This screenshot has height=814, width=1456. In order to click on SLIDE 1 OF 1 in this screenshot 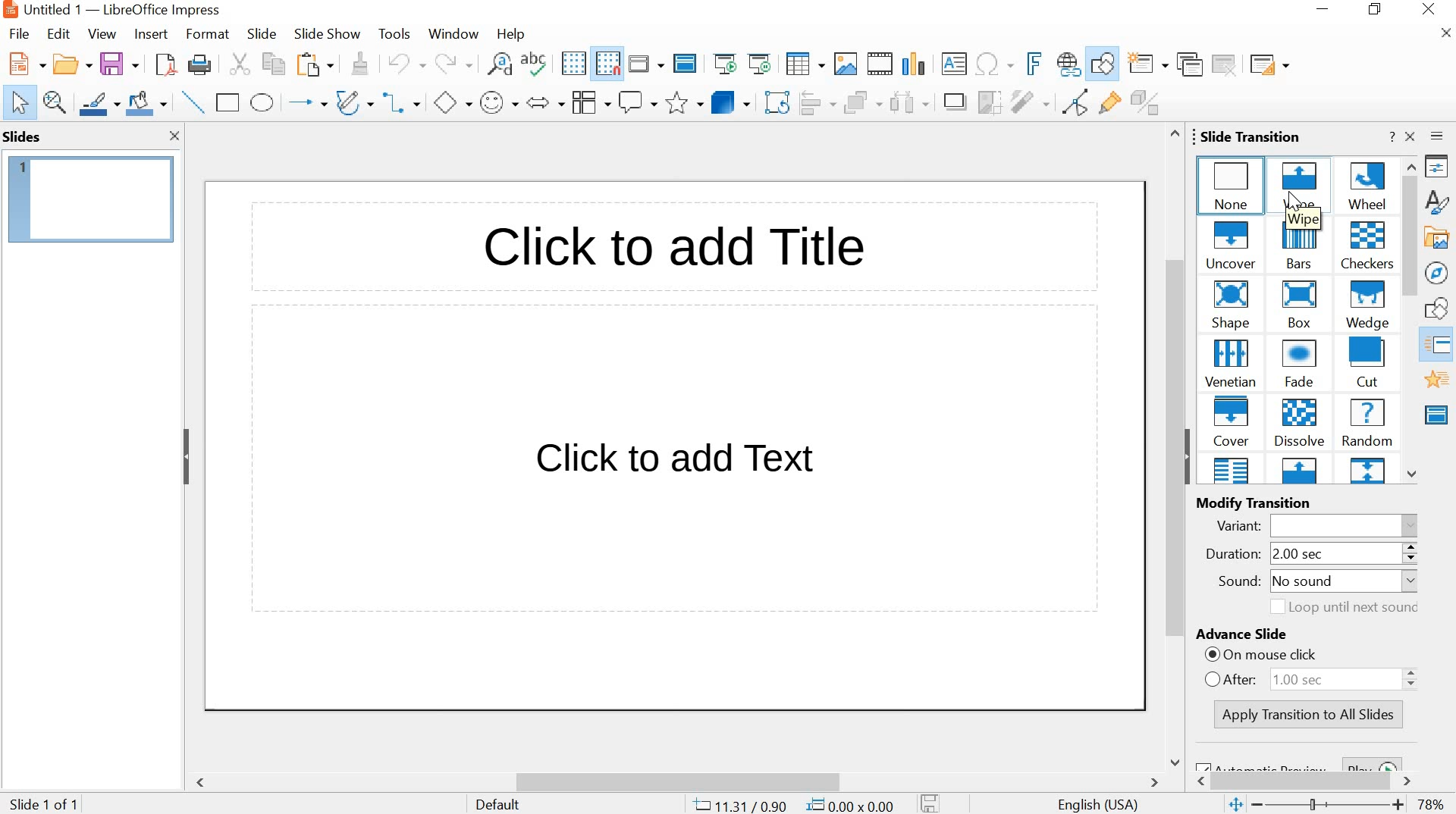, I will do `click(47, 805)`.